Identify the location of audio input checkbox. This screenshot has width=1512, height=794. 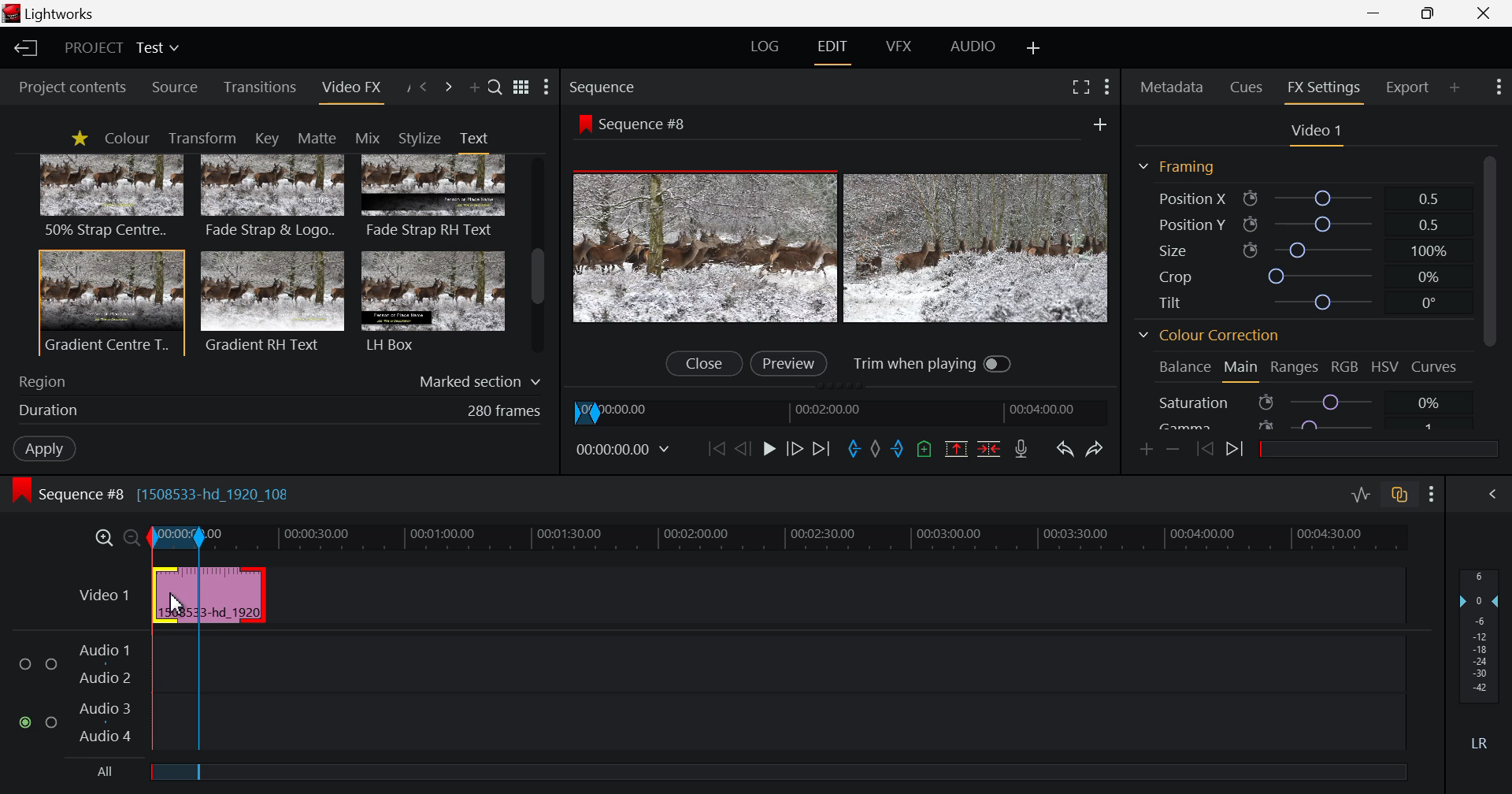
(39, 694).